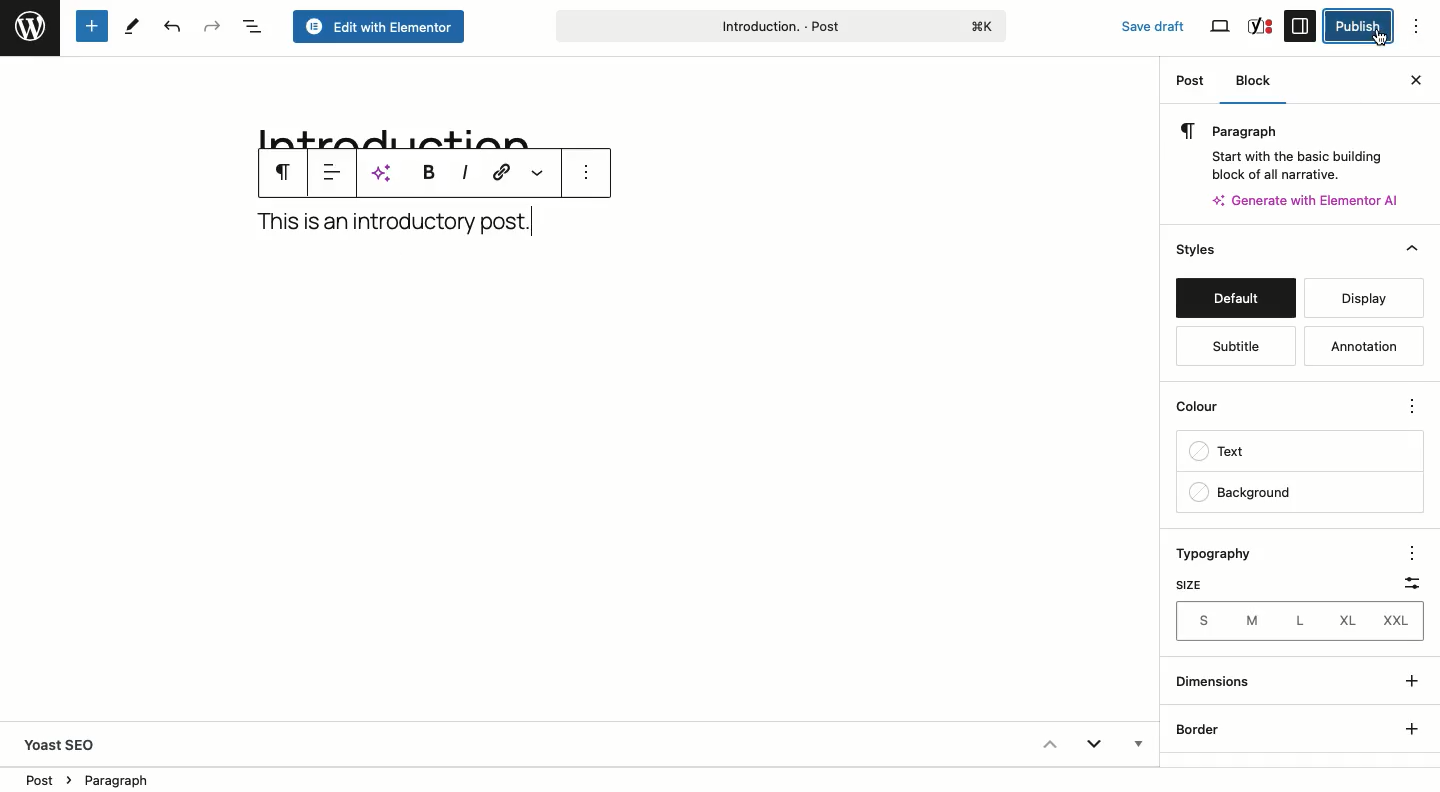 This screenshot has width=1440, height=792. I want to click on Undo, so click(170, 28).